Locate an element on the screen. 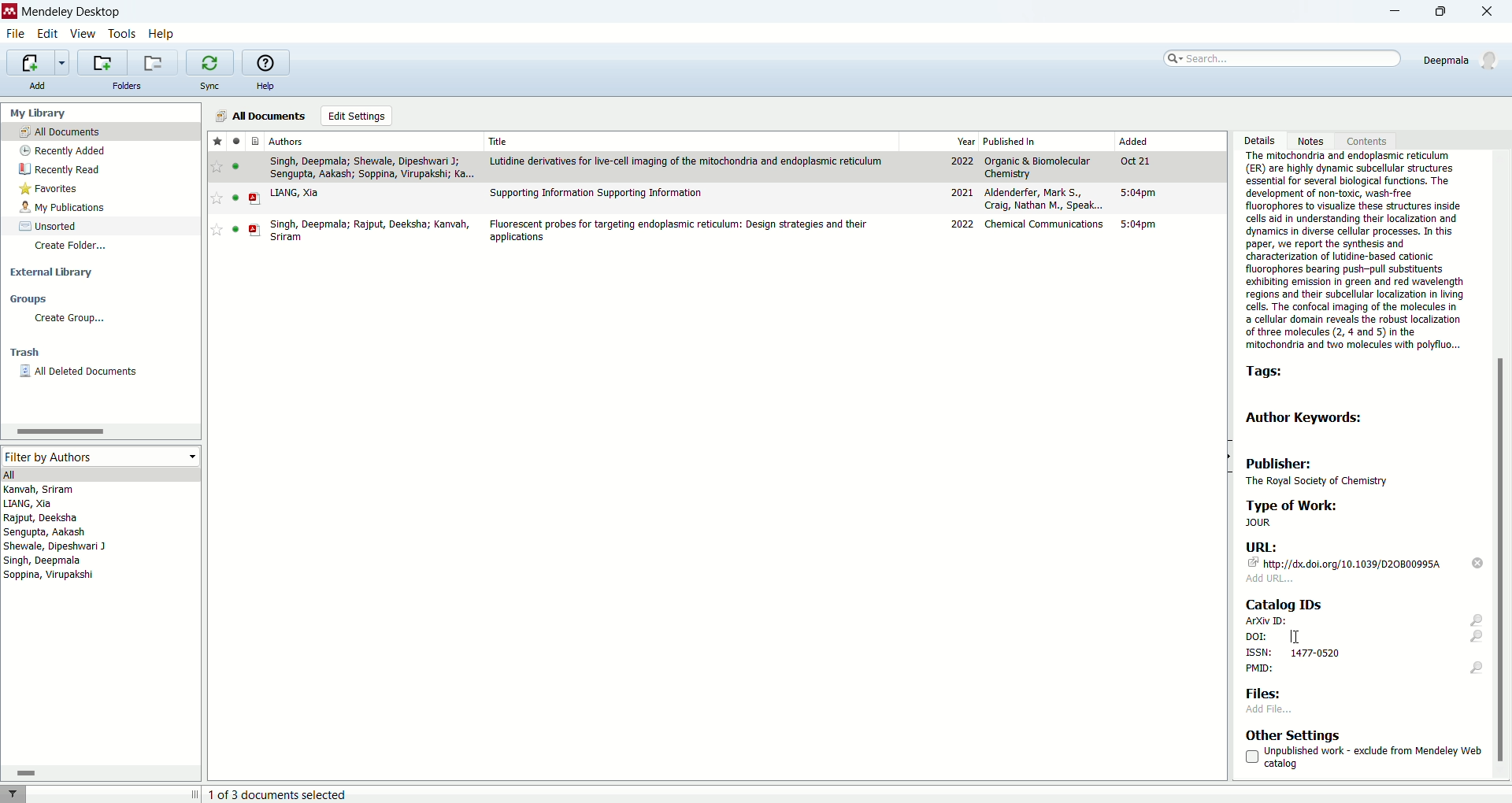 The width and height of the screenshot is (1512, 803). 2022 is located at coordinates (963, 224).